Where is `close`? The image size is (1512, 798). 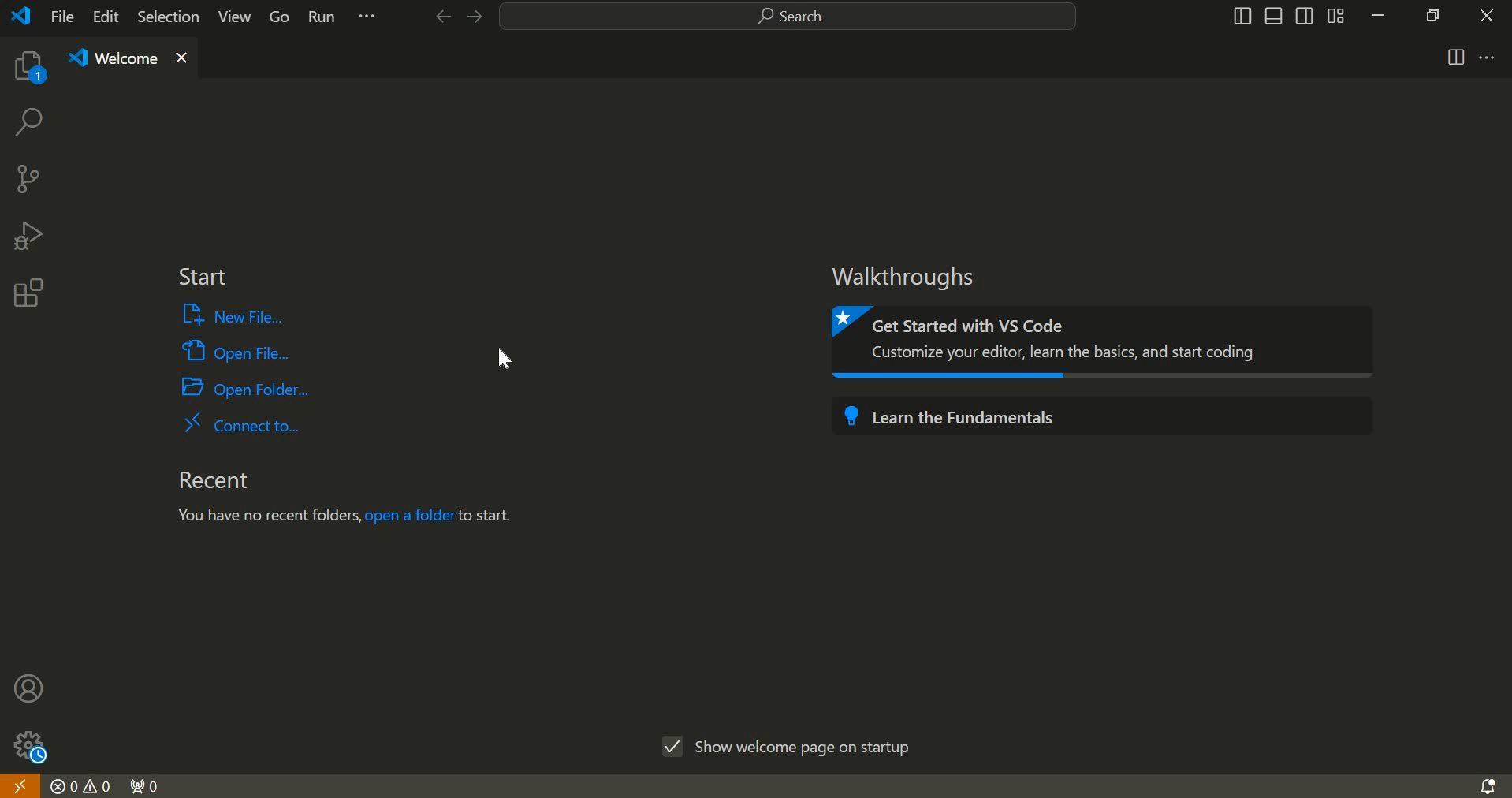
close is located at coordinates (1488, 15).